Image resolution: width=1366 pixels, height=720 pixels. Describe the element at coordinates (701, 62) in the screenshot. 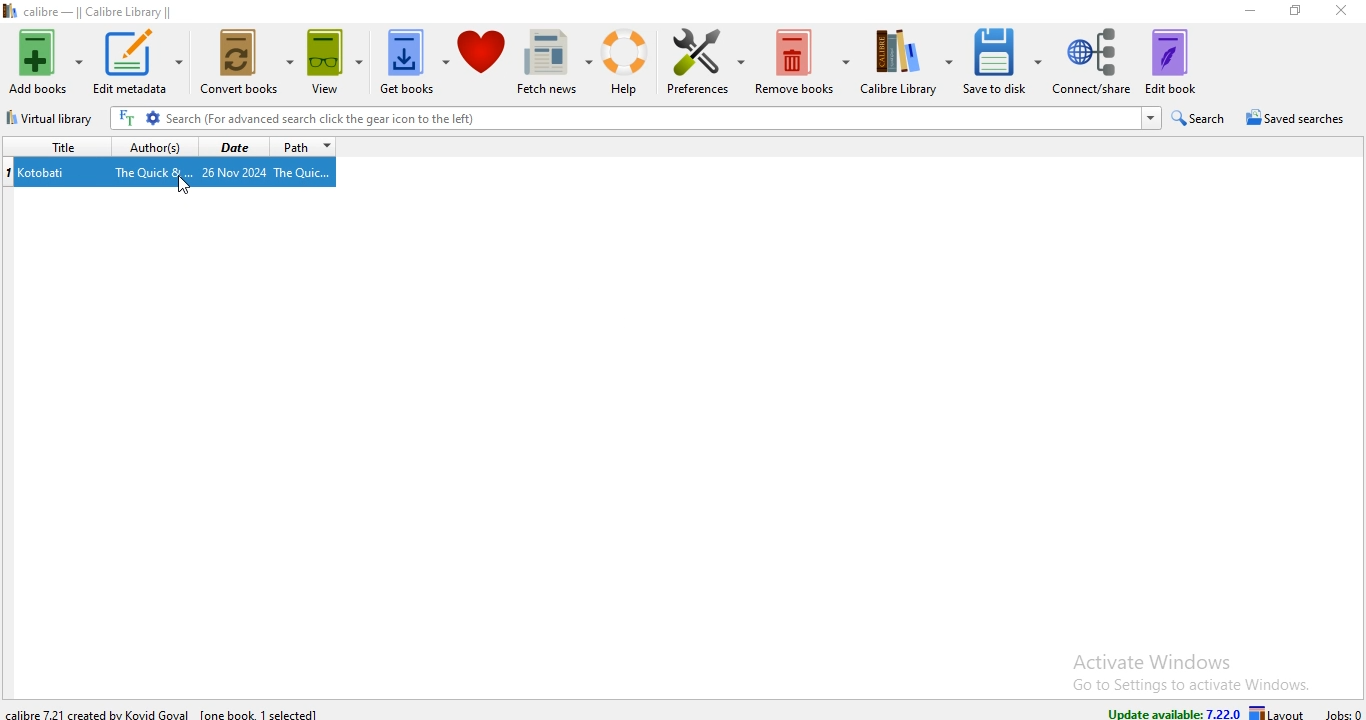

I see `preference` at that location.